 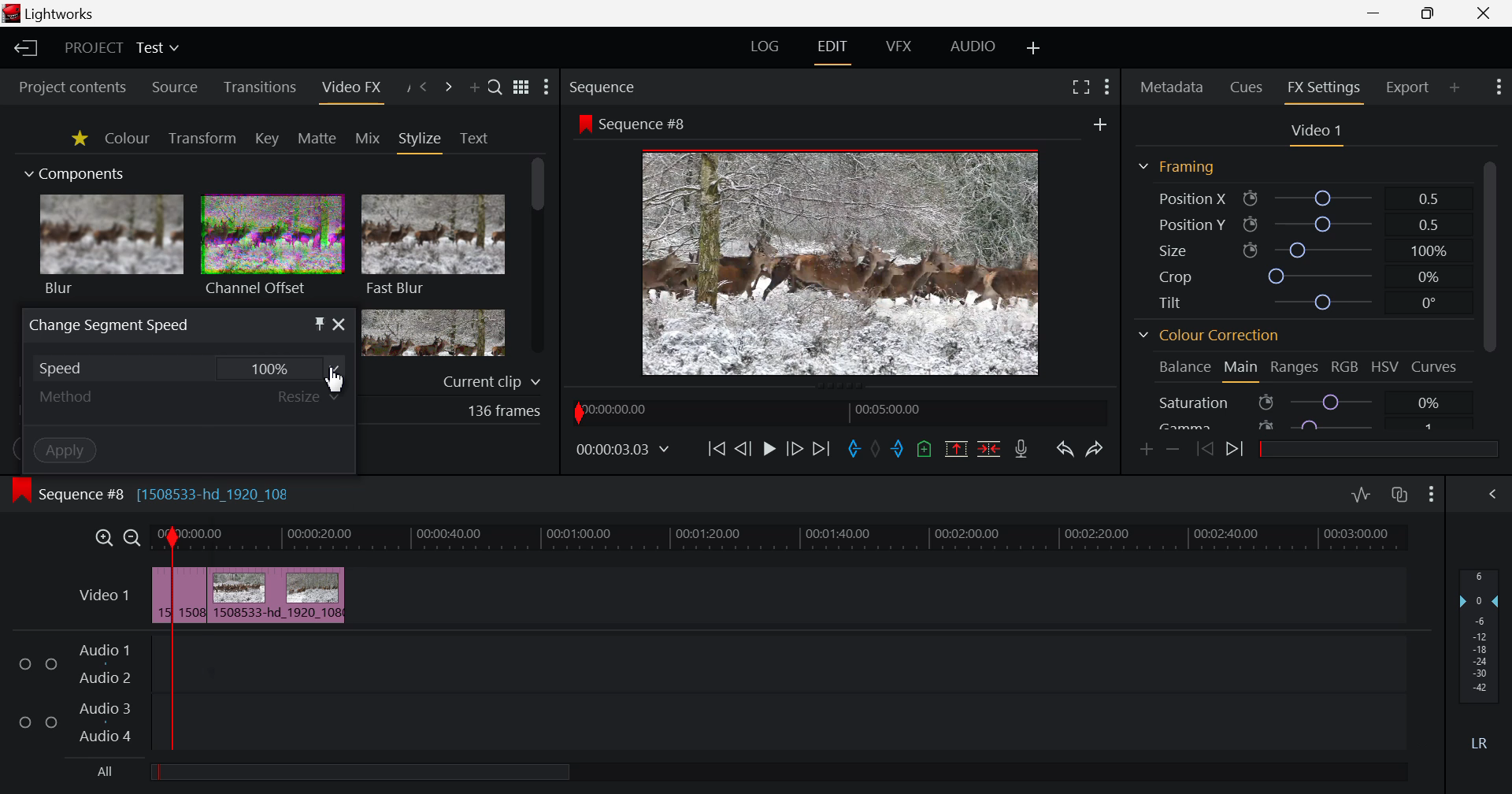 What do you see at coordinates (179, 492) in the screenshot?
I see `Sequence #8 [1508533-hd_1920_108` at bounding box center [179, 492].